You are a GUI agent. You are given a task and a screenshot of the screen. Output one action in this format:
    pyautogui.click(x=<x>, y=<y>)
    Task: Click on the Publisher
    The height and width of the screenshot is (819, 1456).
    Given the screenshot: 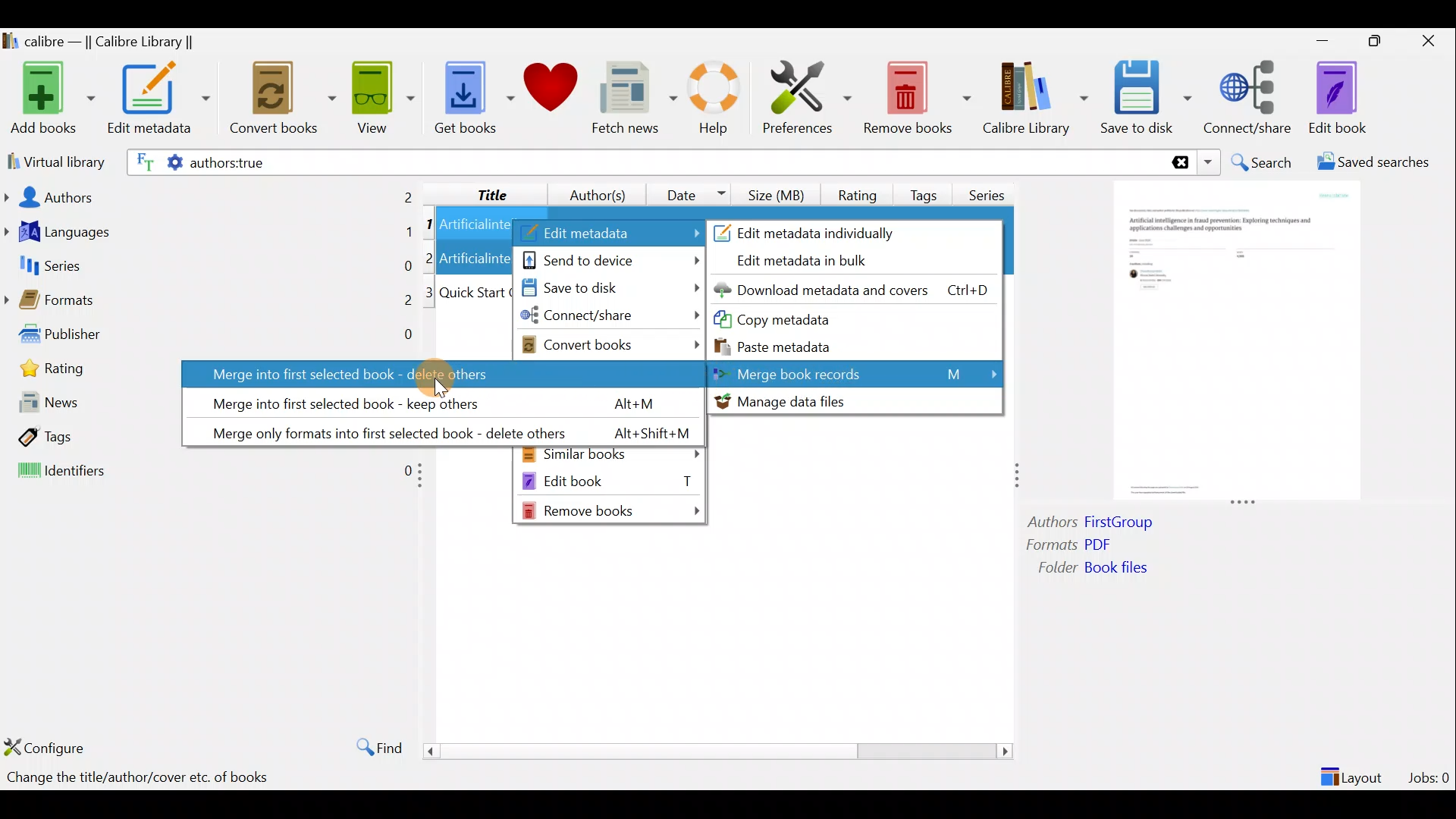 What is the action you would take?
    pyautogui.click(x=211, y=337)
    